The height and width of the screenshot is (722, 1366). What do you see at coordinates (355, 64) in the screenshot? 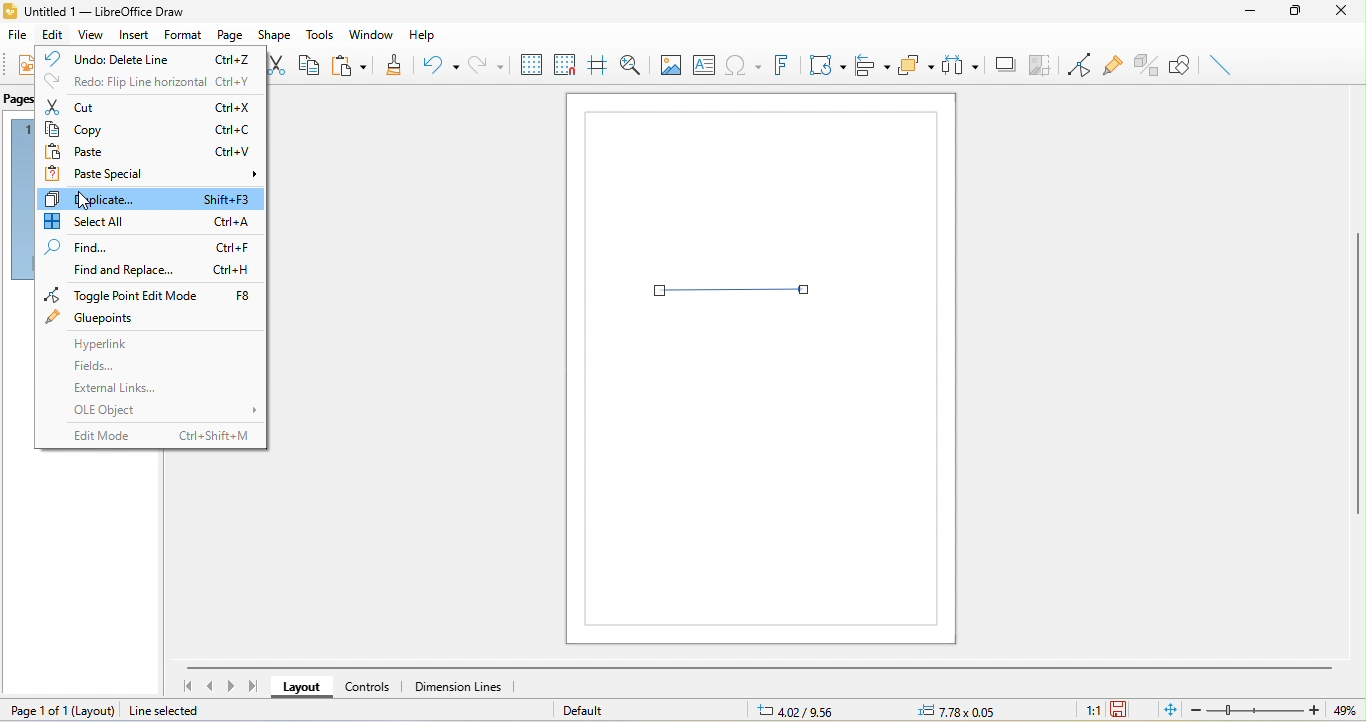
I see `paste` at bounding box center [355, 64].